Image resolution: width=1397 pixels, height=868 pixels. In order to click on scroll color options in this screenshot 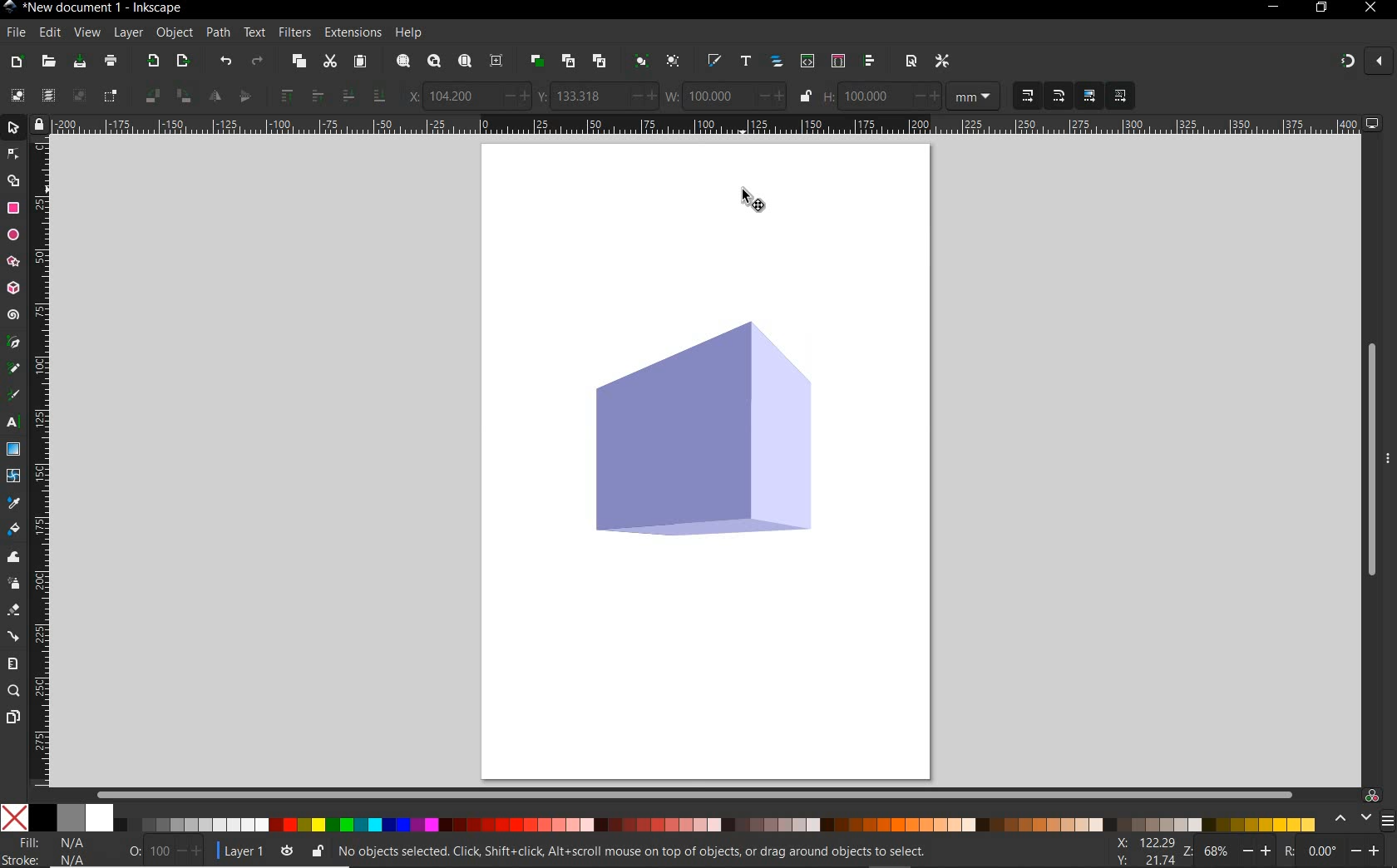, I will do `click(1352, 819)`.